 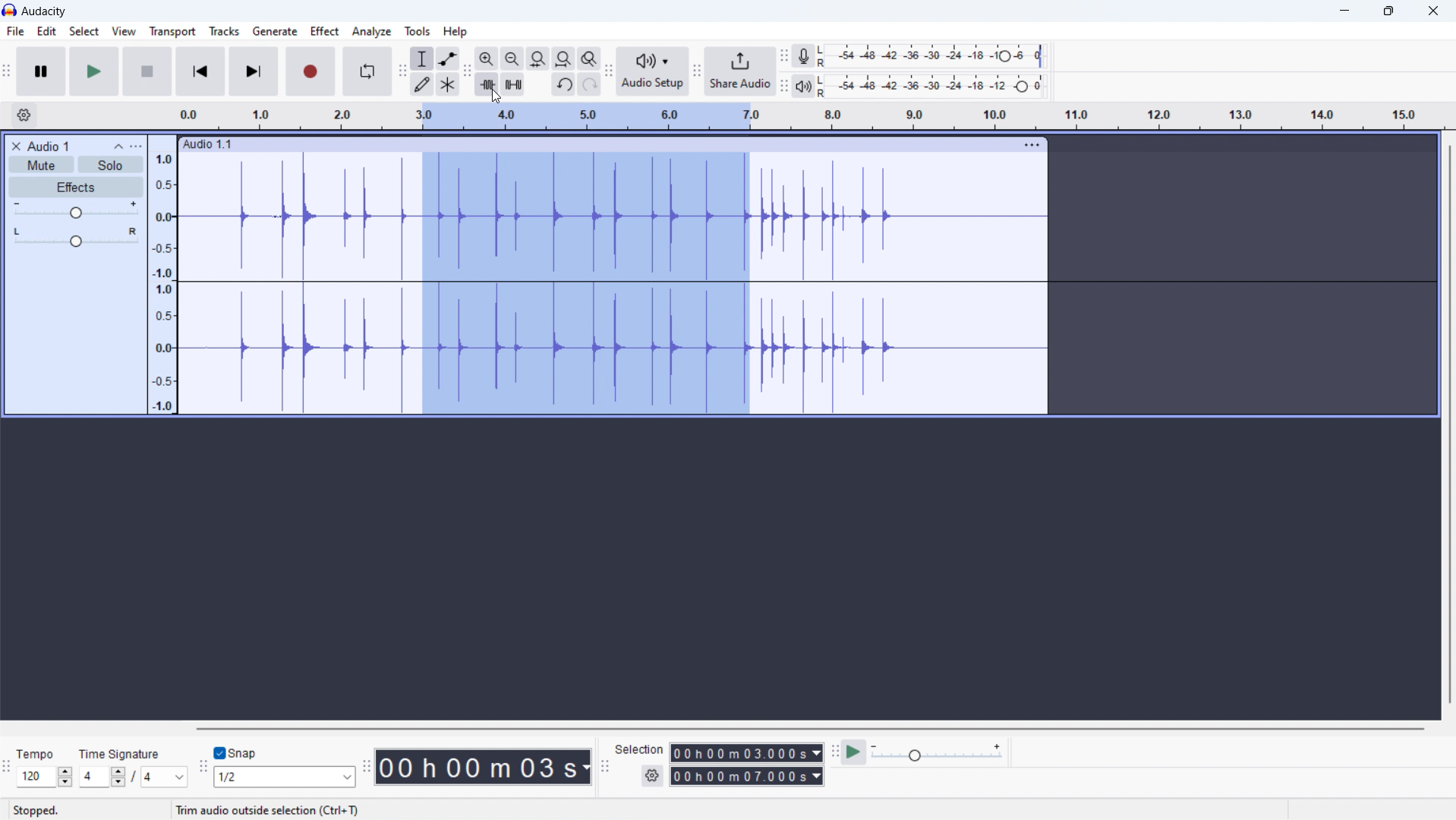 I want to click on settings, so click(x=653, y=775).